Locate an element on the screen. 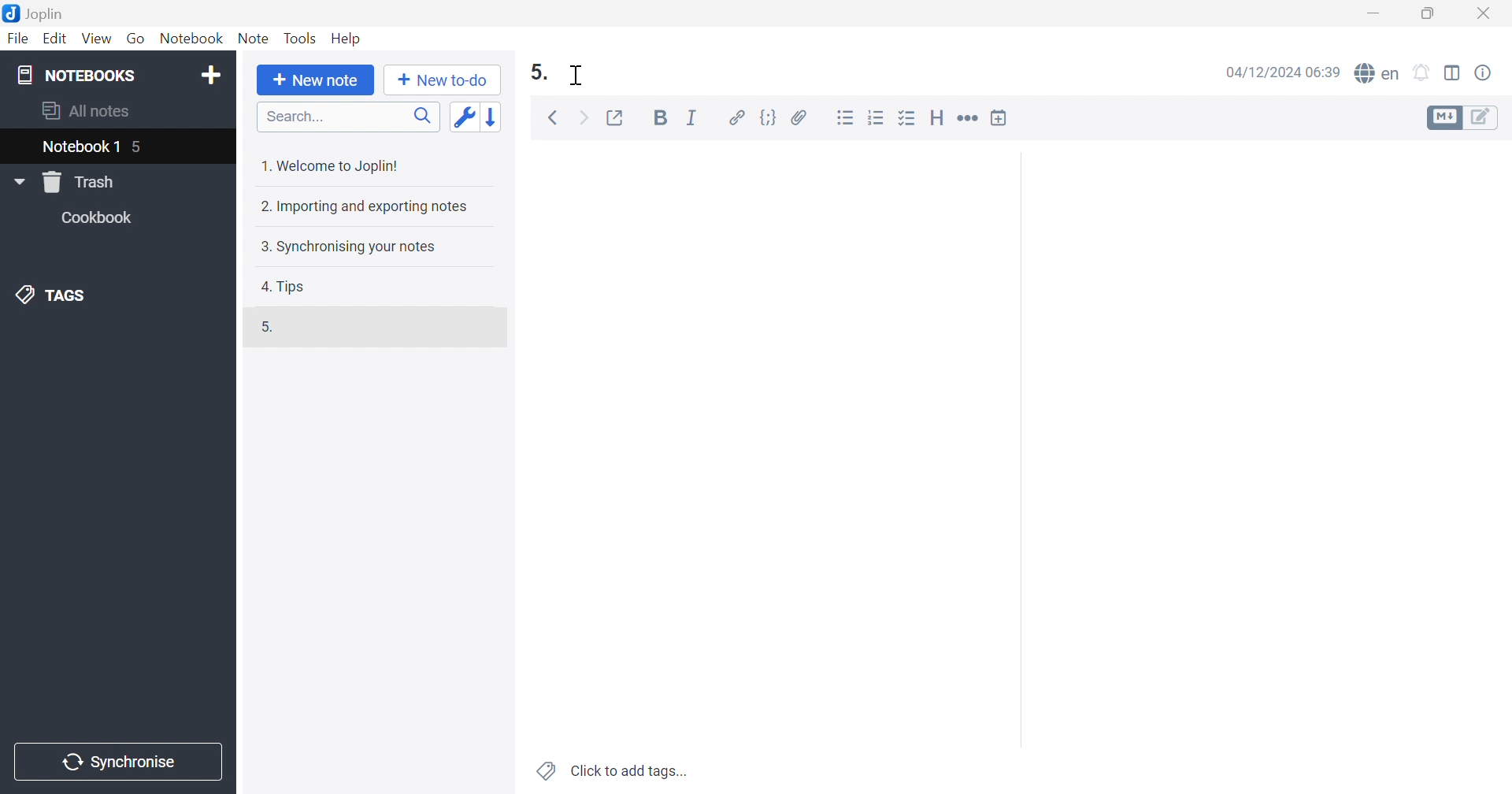 This screenshot has width=1512, height=794. Back is located at coordinates (551, 118).